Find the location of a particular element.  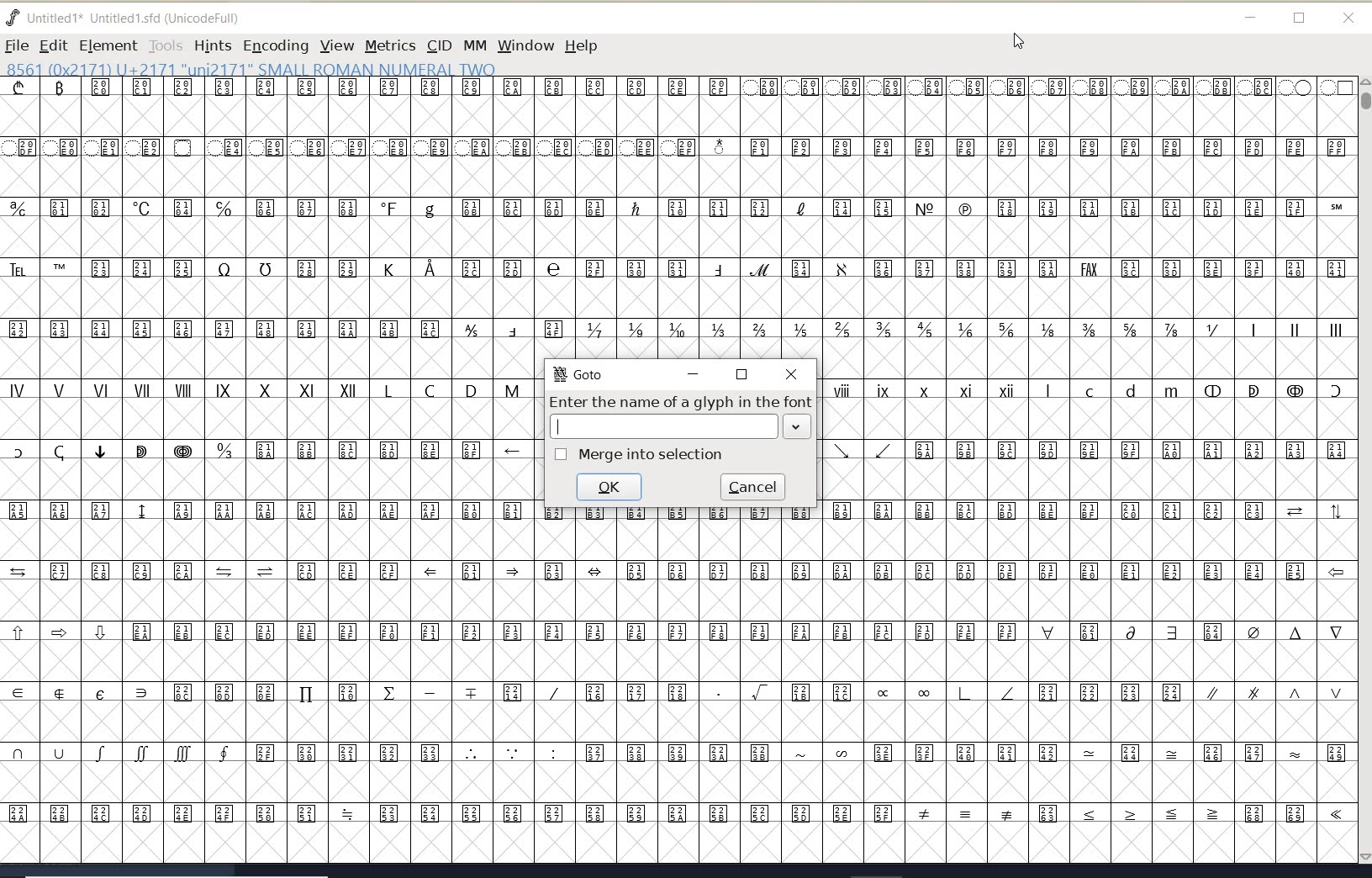

GLYPHY CHARACTERS & NUMBERS is located at coordinates (1083, 440).